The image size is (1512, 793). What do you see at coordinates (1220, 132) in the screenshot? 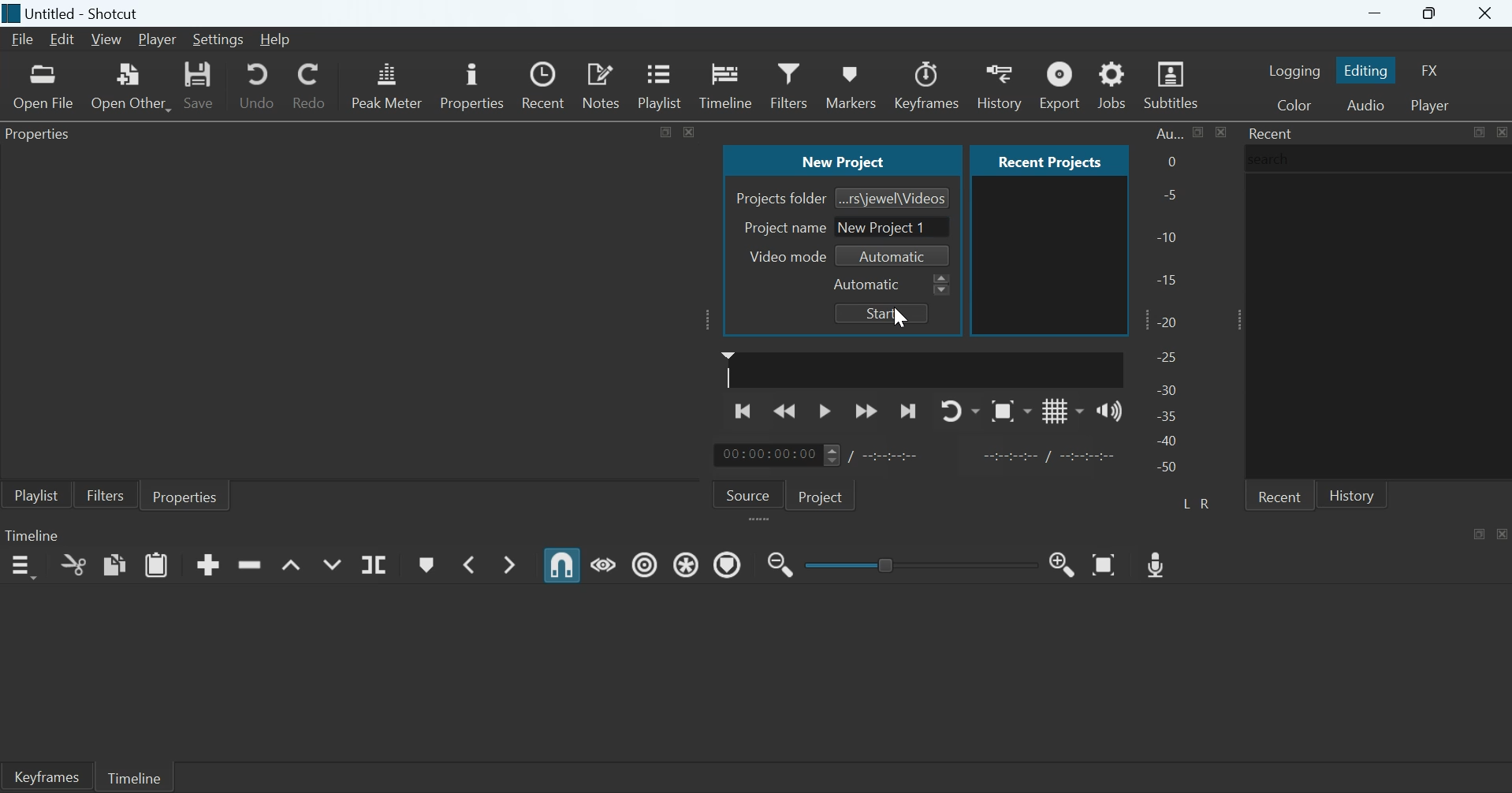
I see `close` at bounding box center [1220, 132].